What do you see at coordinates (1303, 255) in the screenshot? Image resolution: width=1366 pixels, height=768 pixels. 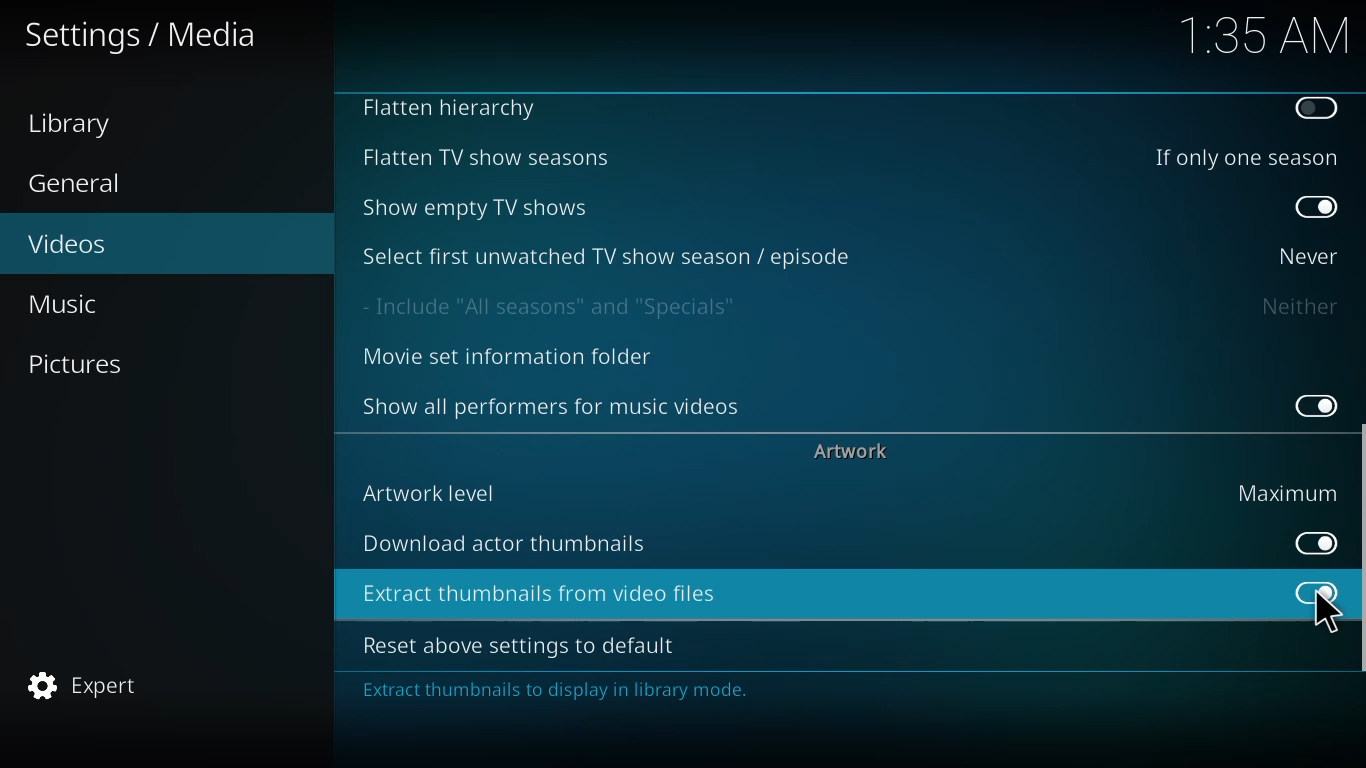 I see `never` at bounding box center [1303, 255].